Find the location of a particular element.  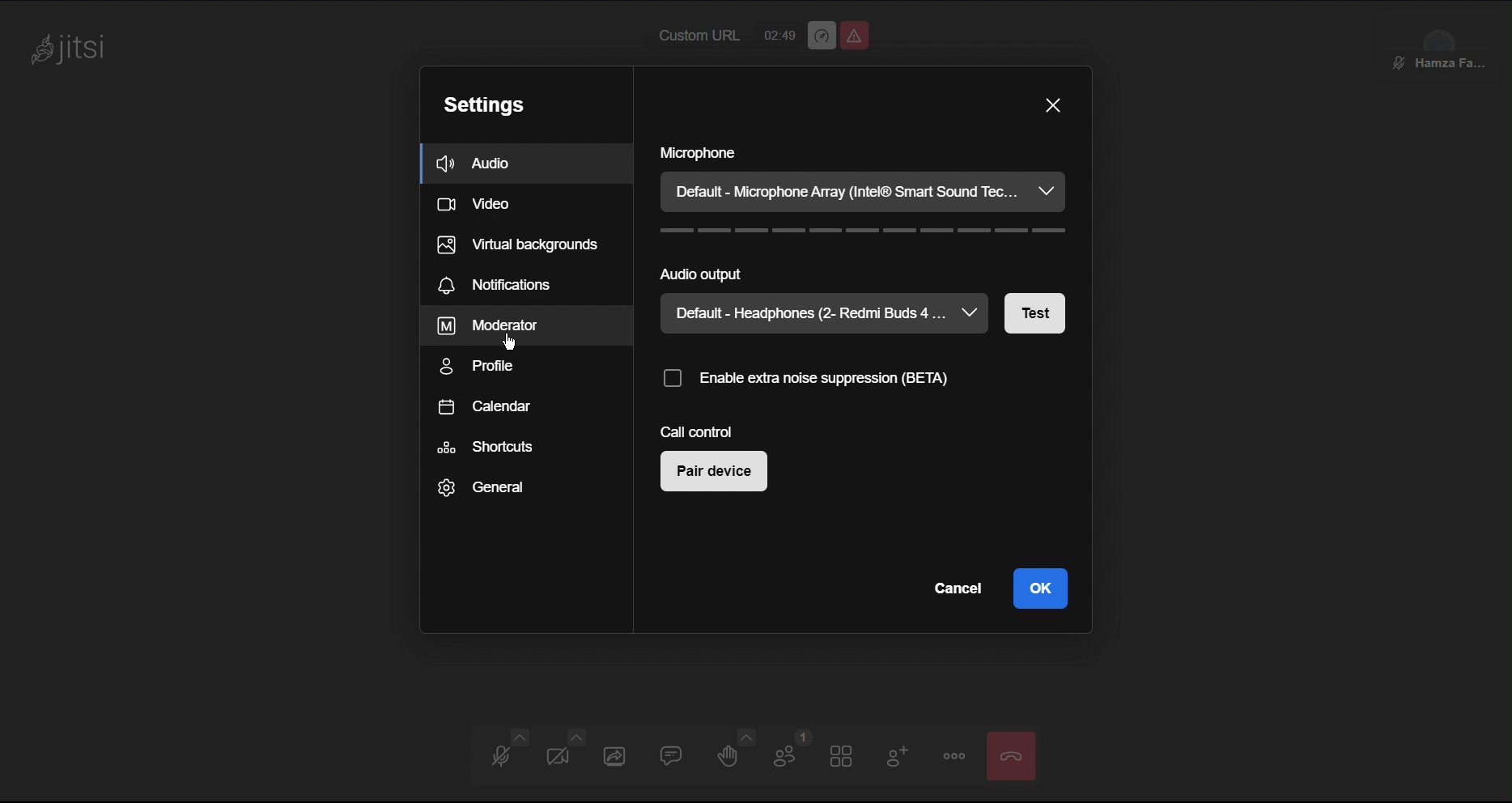

Moderator is located at coordinates (491, 326).